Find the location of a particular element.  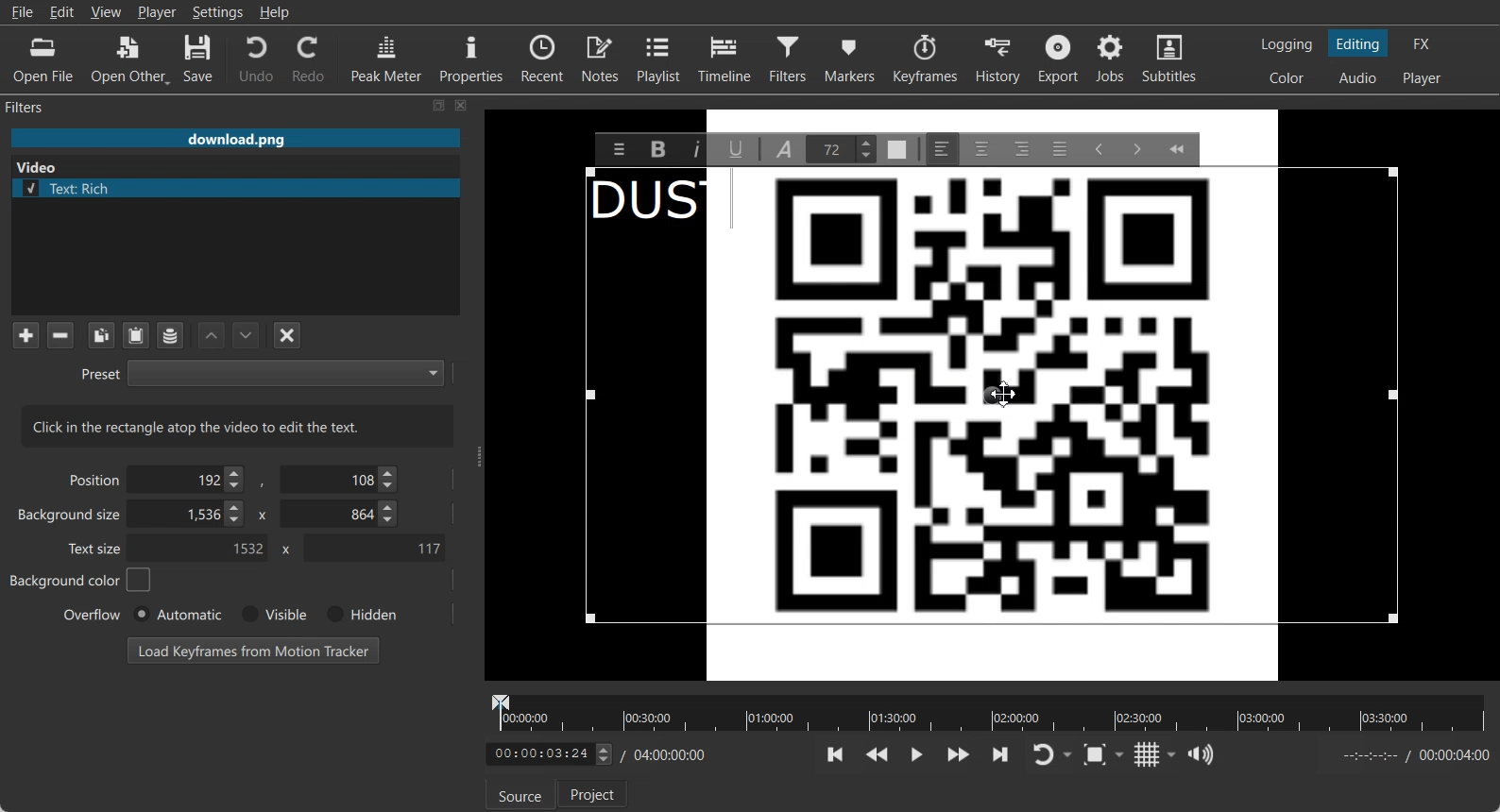

Left is located at coordinates (942, 148).